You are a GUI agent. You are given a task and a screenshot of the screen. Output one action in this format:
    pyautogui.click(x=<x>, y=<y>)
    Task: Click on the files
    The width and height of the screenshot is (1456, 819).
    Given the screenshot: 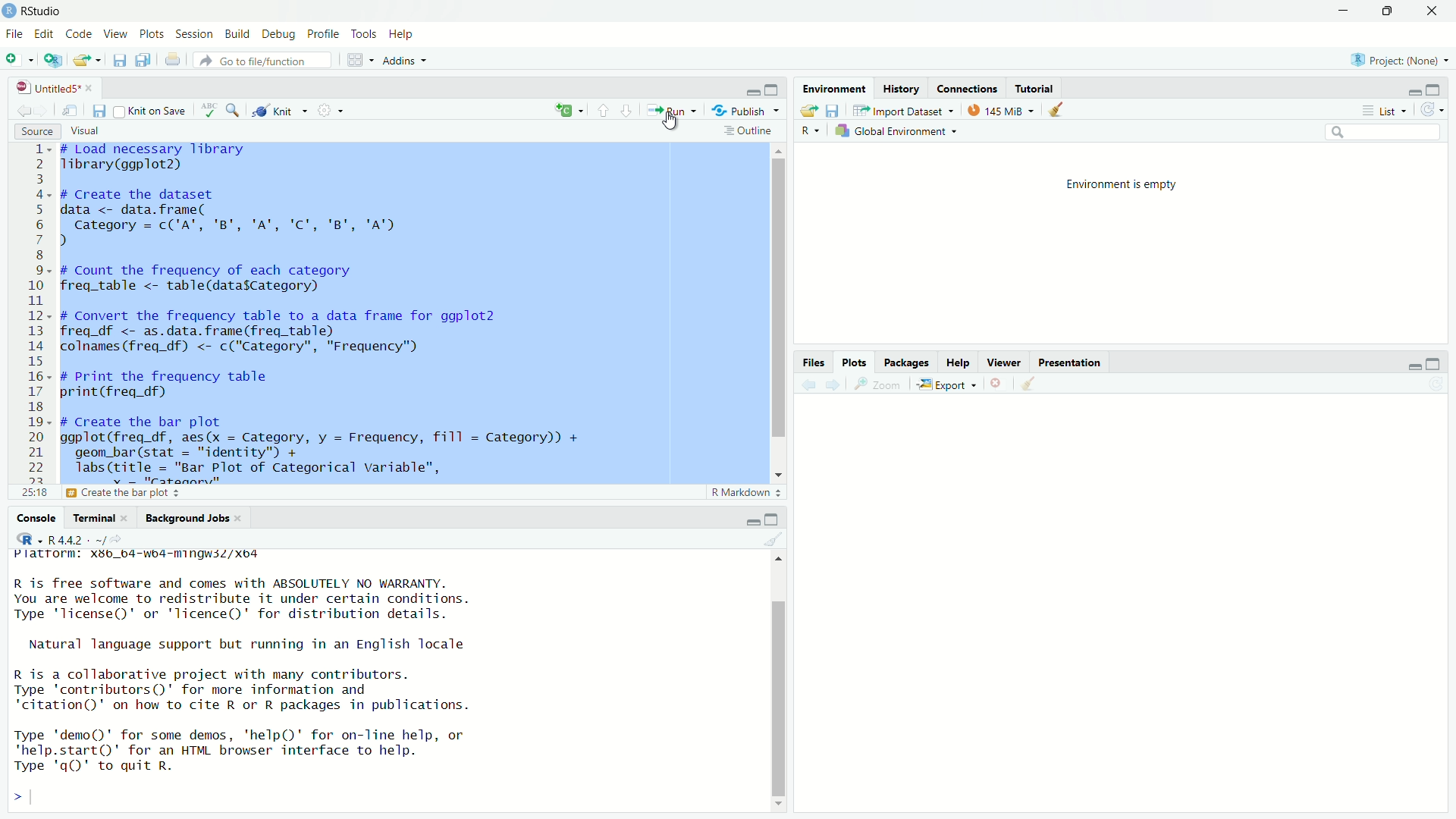 What is the action you would take?
    pyautogui.click(x=815, y=363)
    